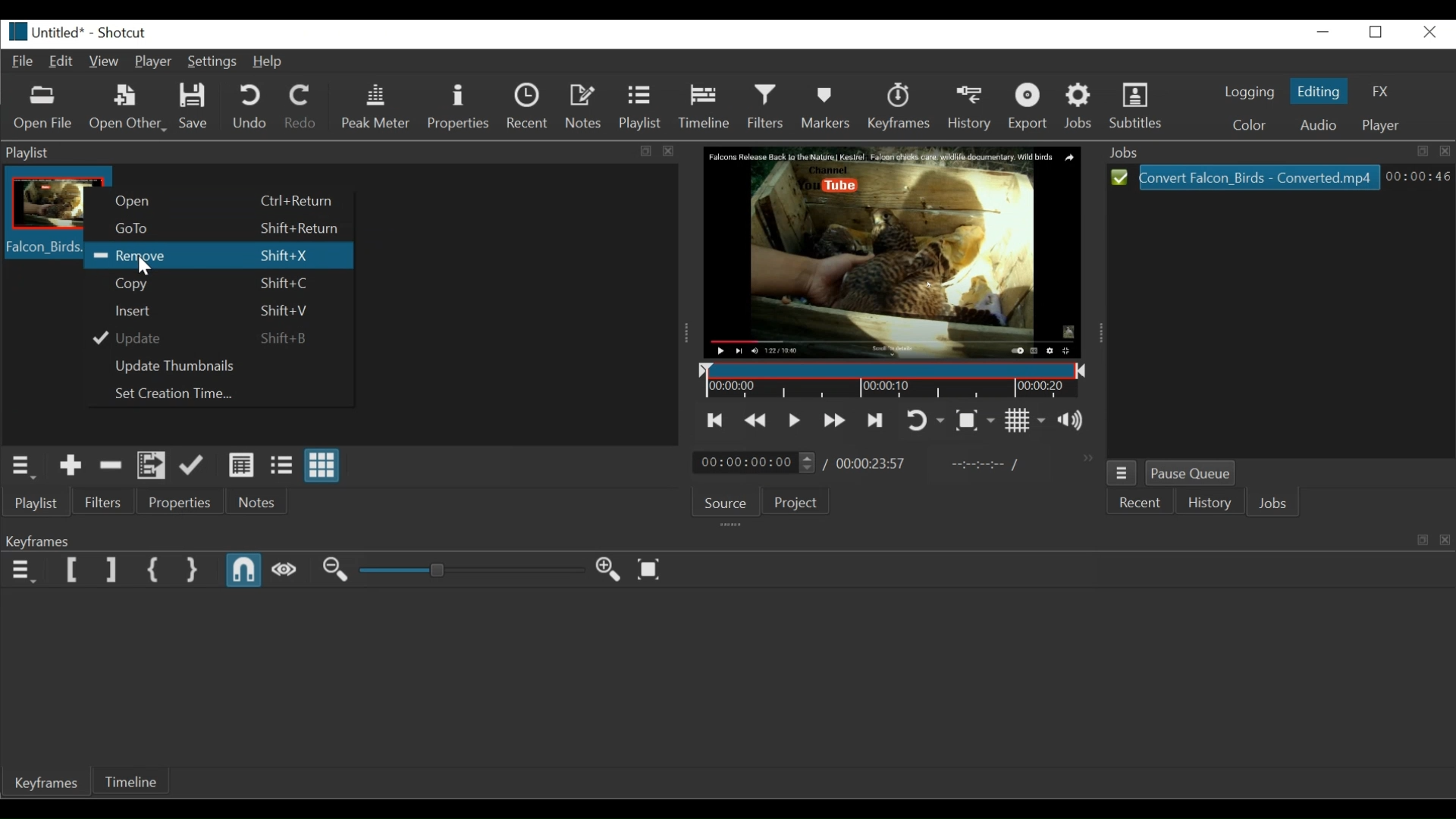 The height and width of the screenshot is (819, 1456). Describe the element at coordinates (1209, 504) in the screenshot. I see `History` at that location.